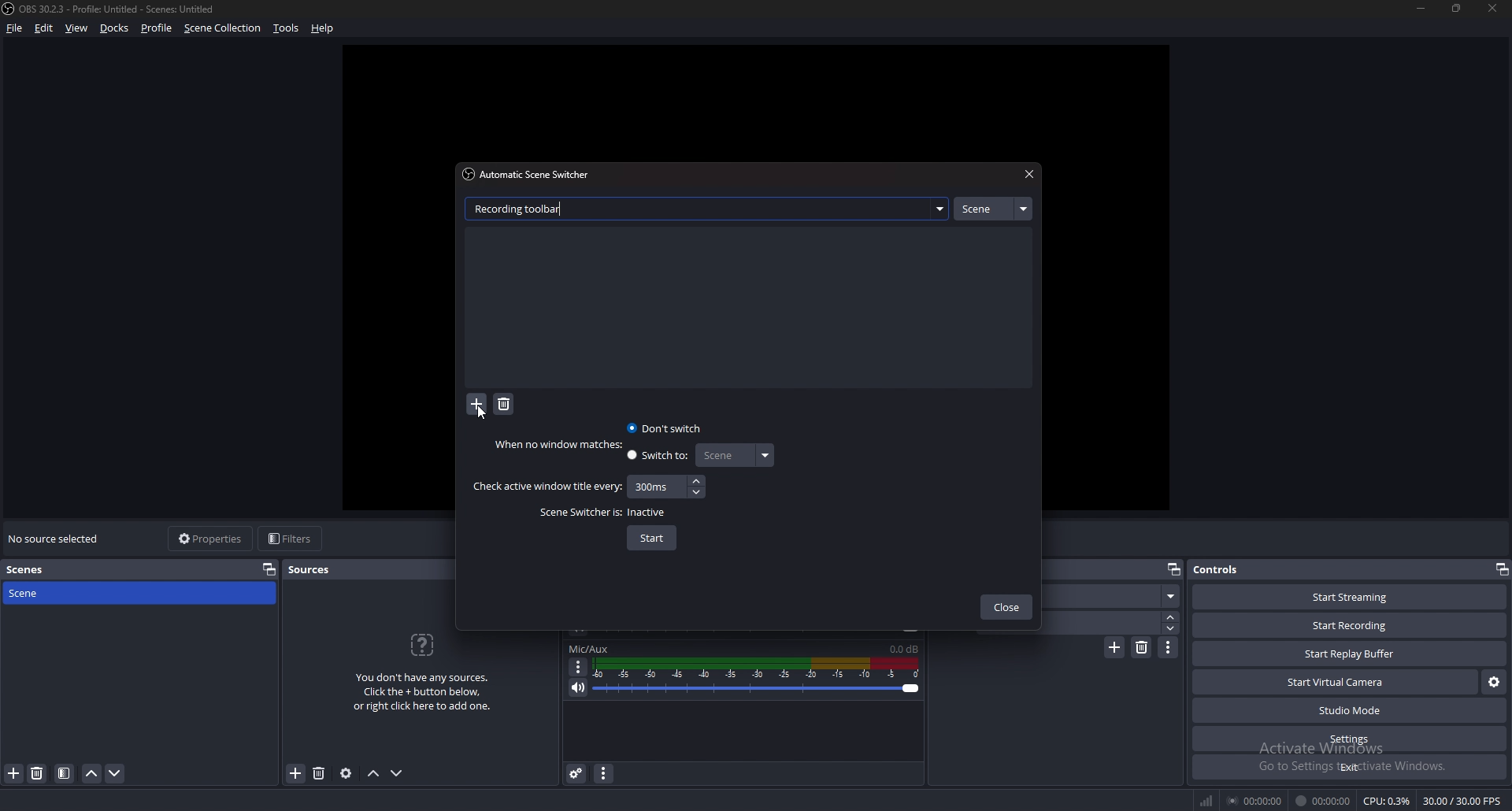 Image resolution: width=1512 pixels, height=811 pixels. I want to click on advanced audio properties, so click(576, 772).